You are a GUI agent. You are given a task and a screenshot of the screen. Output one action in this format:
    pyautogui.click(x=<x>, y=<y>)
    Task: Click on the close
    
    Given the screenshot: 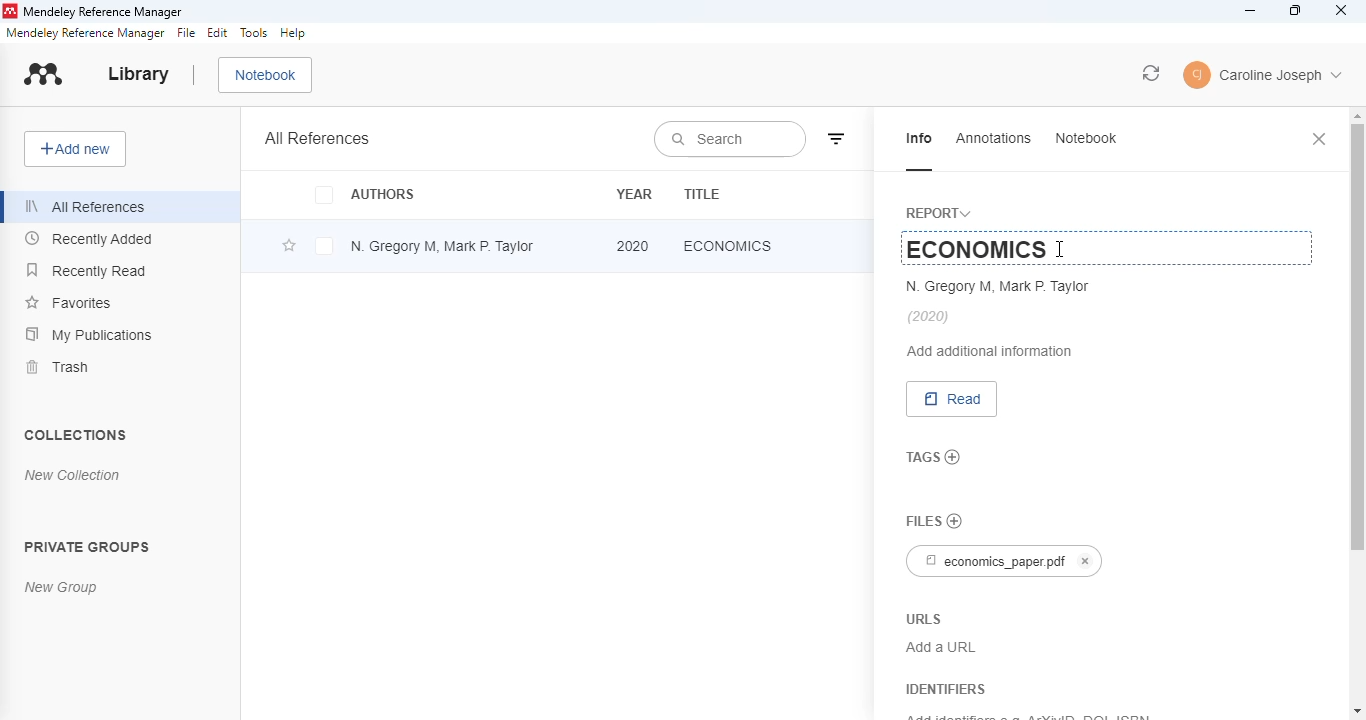 What is the action you would take?
    pyautogui.click(x=1341, y=10)
    